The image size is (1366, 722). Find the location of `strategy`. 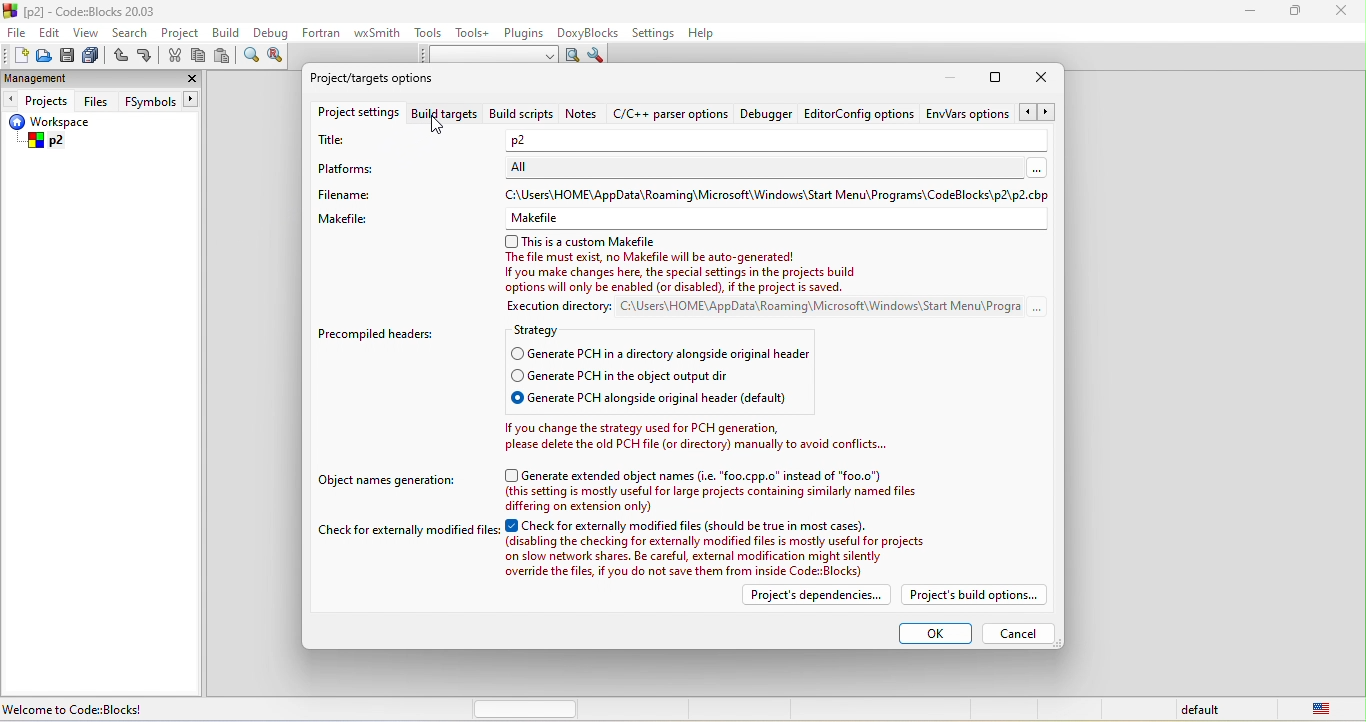

strategy is located at coordinates (544, 330).